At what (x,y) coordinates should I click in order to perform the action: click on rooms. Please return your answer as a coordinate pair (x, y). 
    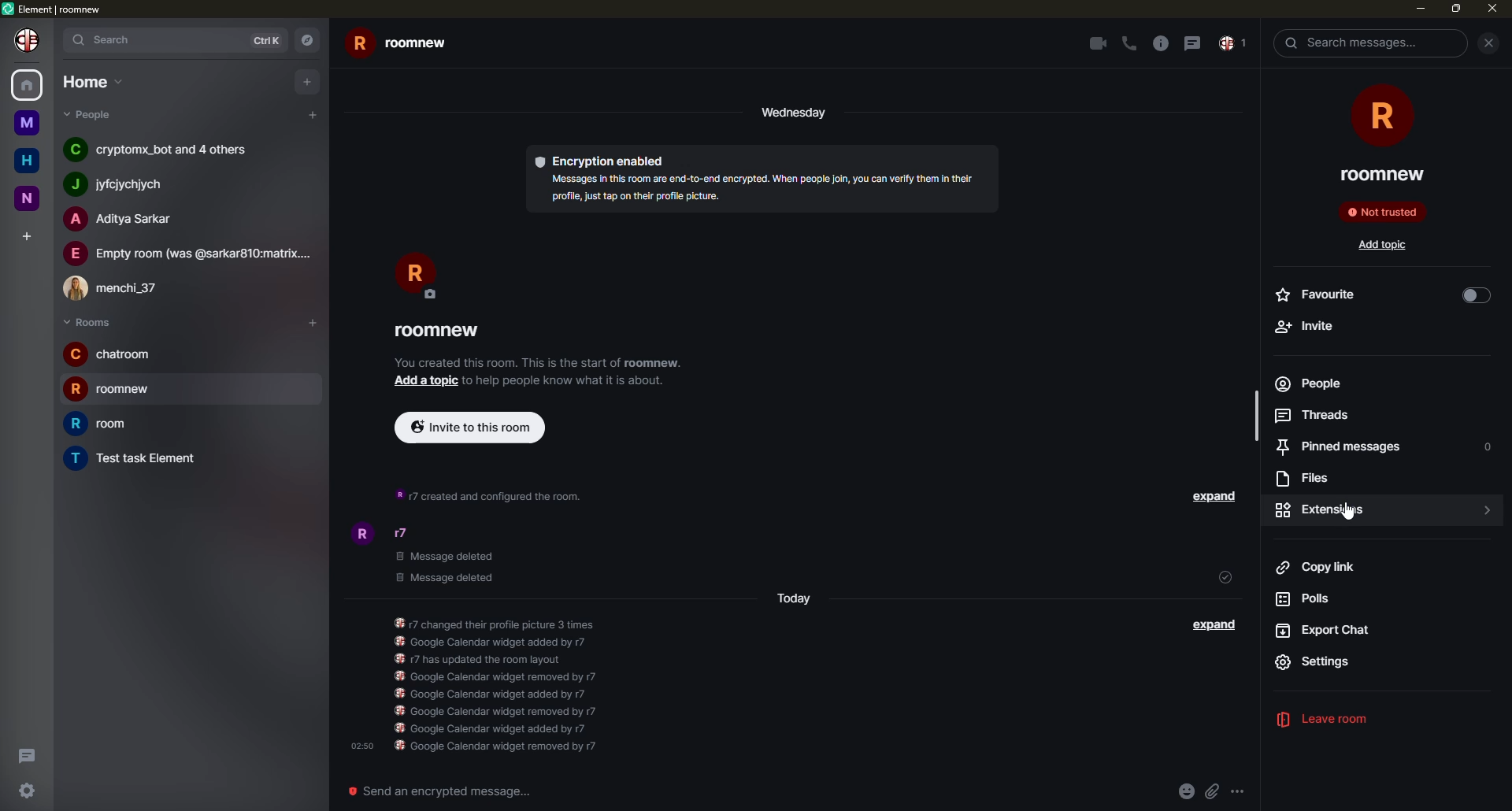
    Looking at the image, I should click on (87, 321).